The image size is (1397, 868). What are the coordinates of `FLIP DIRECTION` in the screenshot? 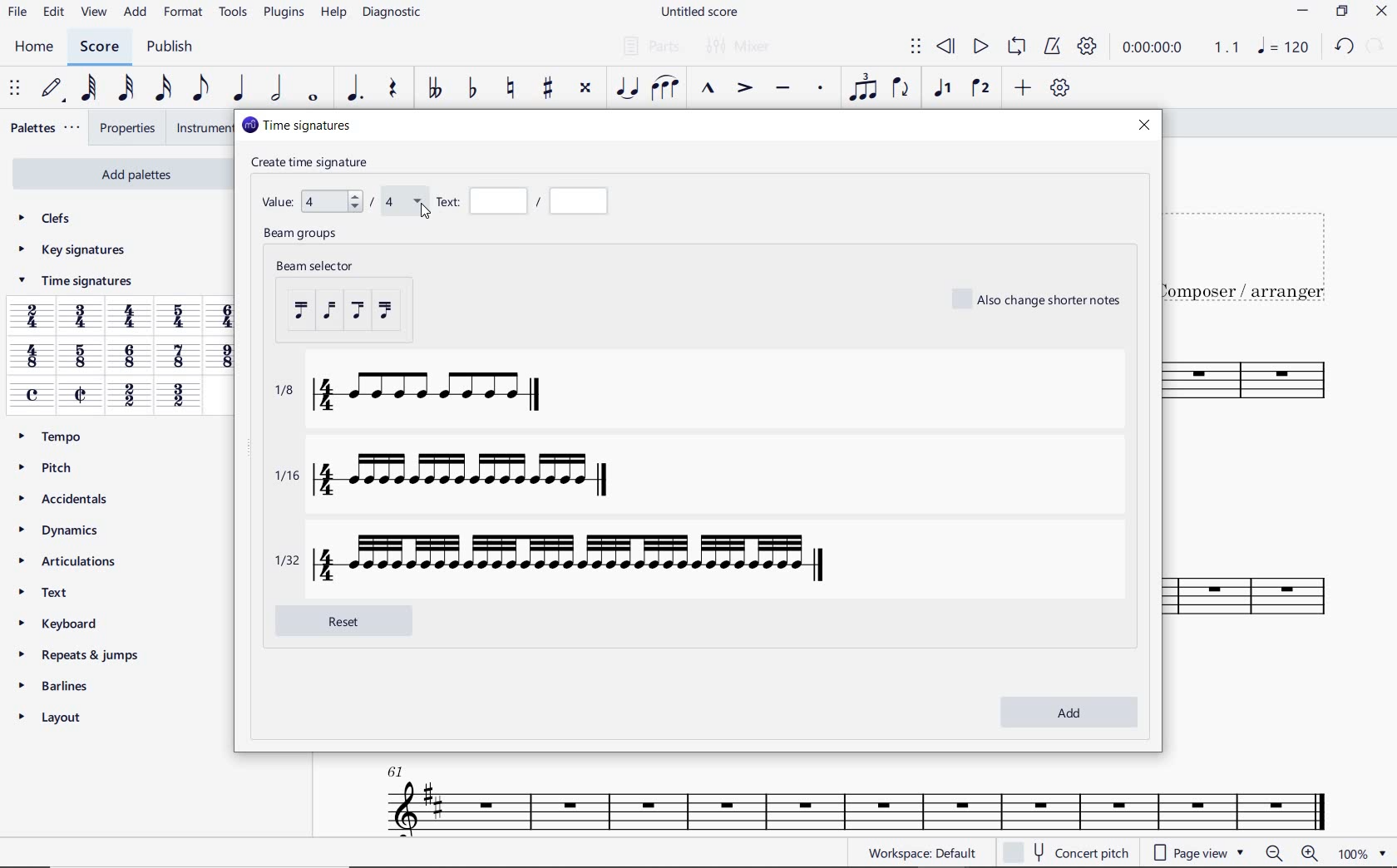 It's located at (901, 89).